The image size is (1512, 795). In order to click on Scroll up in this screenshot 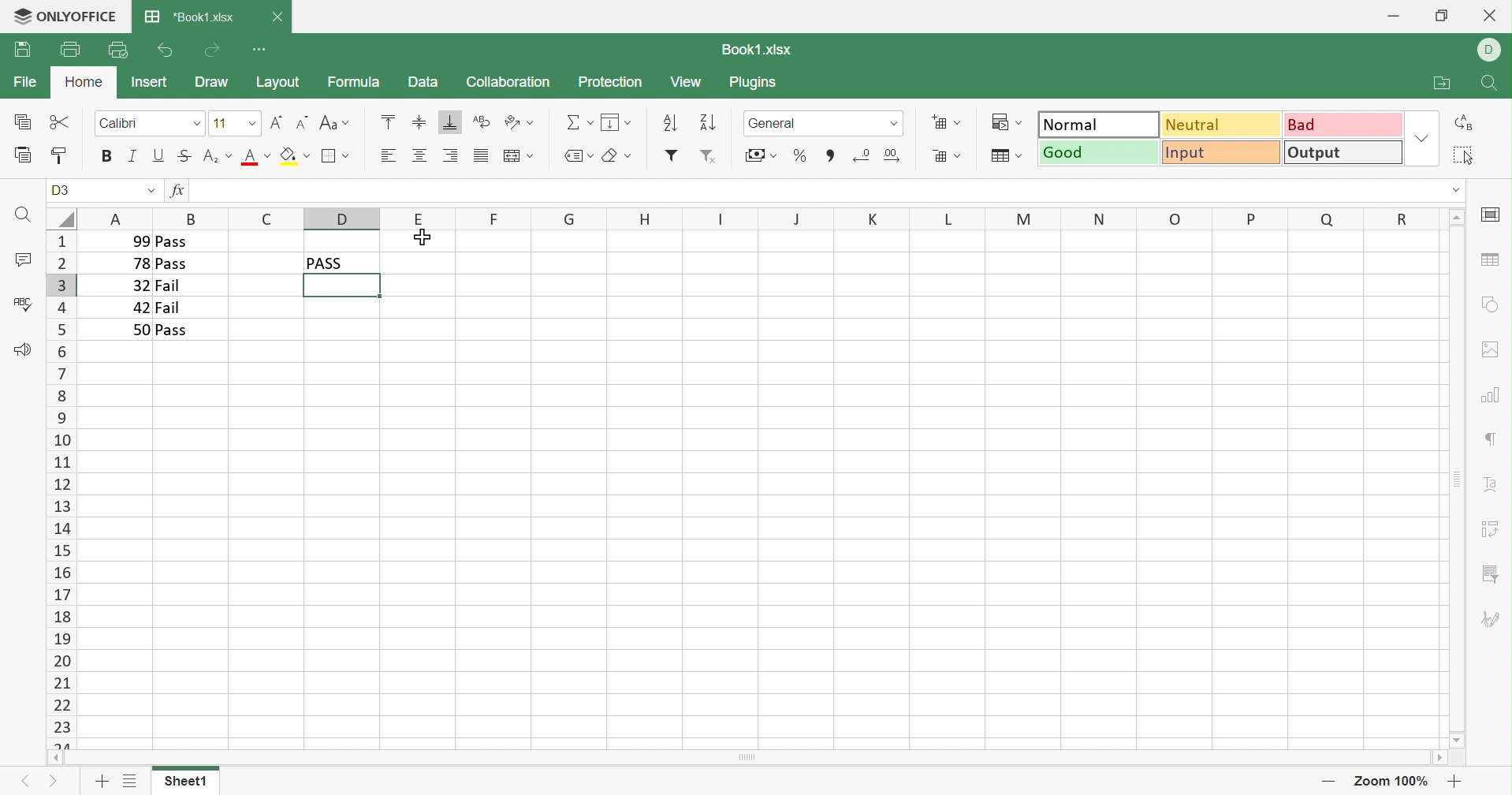, I will do `click(1458, 215)`.